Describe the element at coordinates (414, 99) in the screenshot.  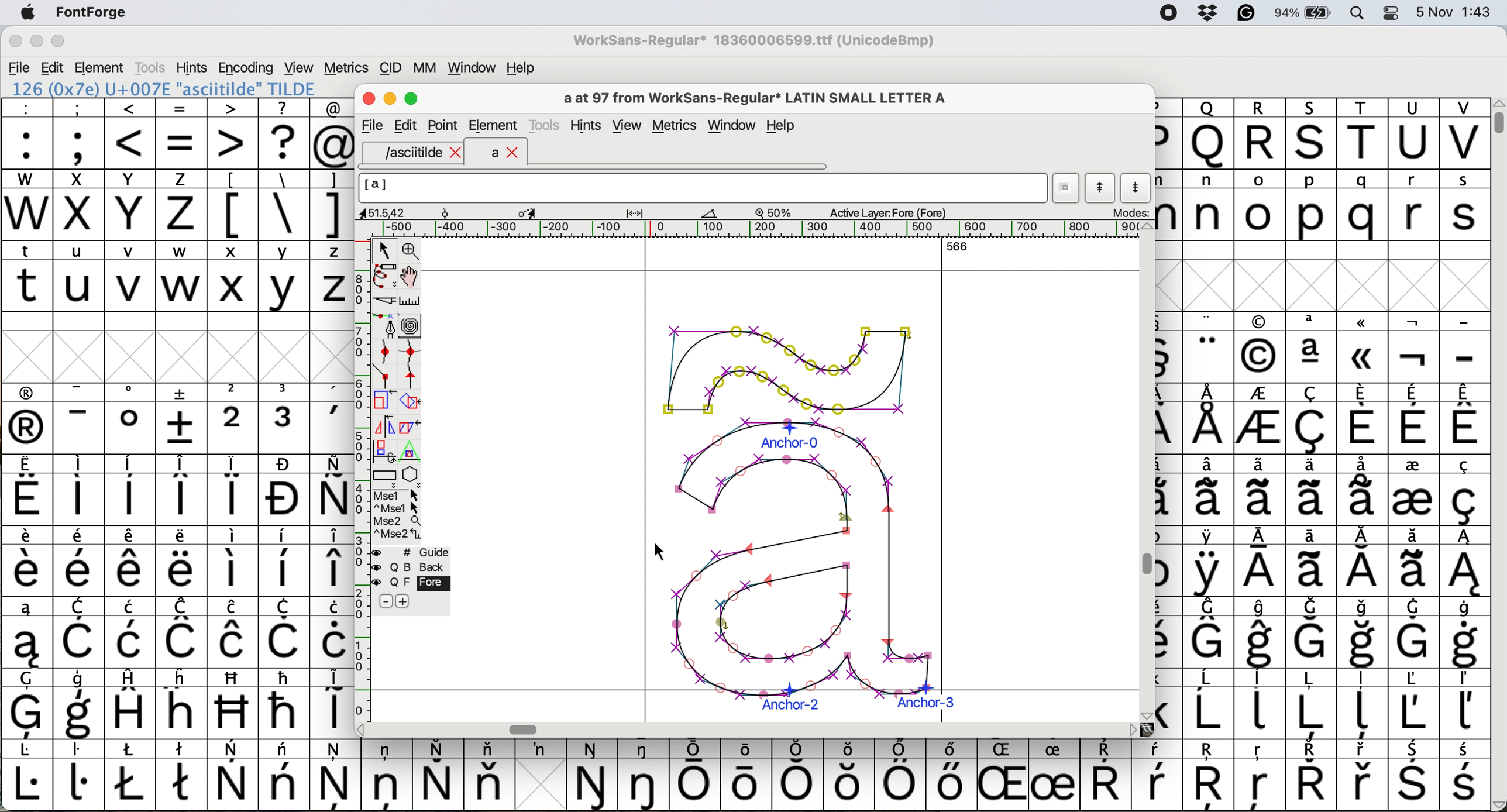
I see `Maximise` at that location.